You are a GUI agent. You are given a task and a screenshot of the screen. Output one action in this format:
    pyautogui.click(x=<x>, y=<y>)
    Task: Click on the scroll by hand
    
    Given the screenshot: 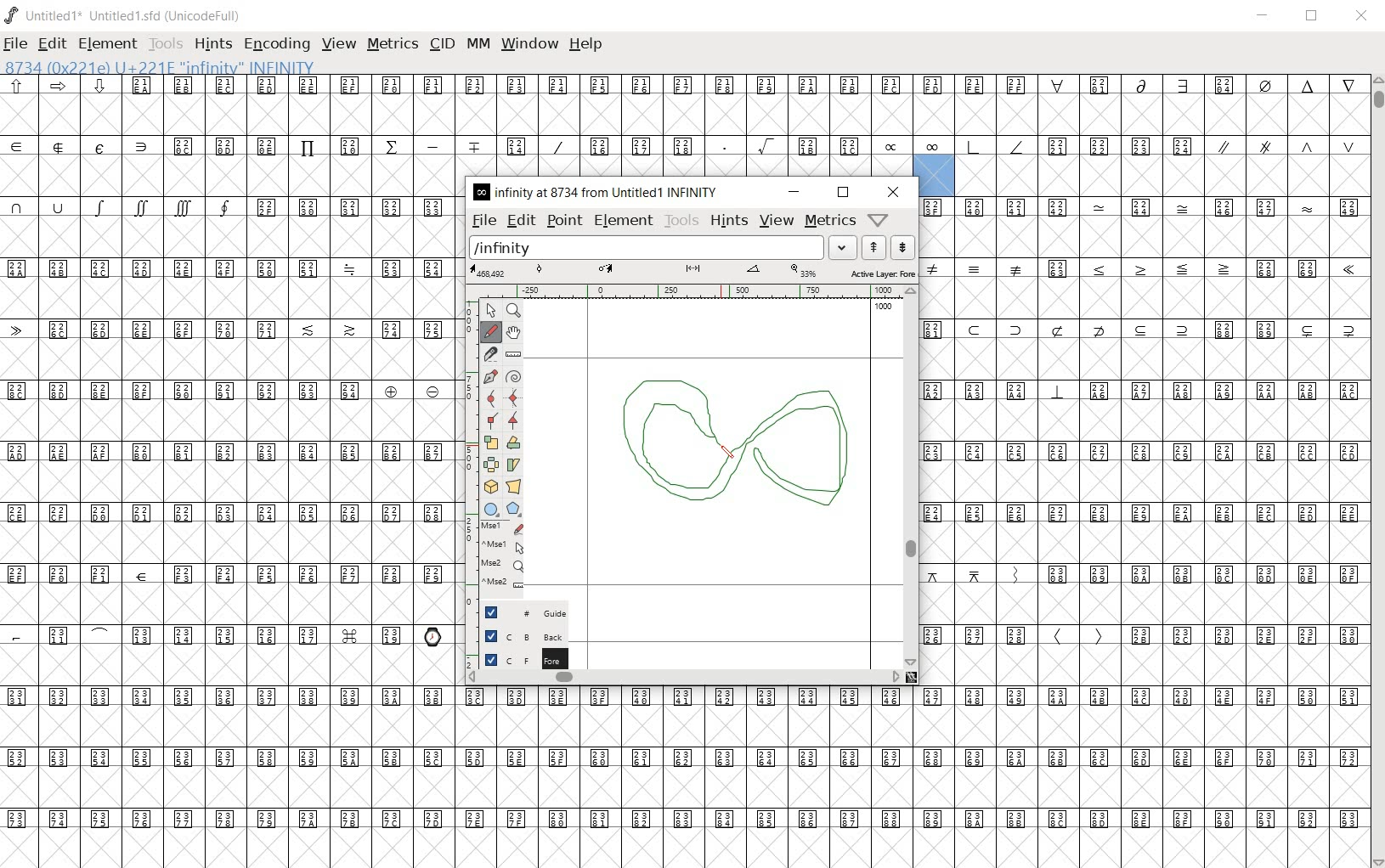 What is the action you would take?
    pyautogui.click(x=515, y=331)
    